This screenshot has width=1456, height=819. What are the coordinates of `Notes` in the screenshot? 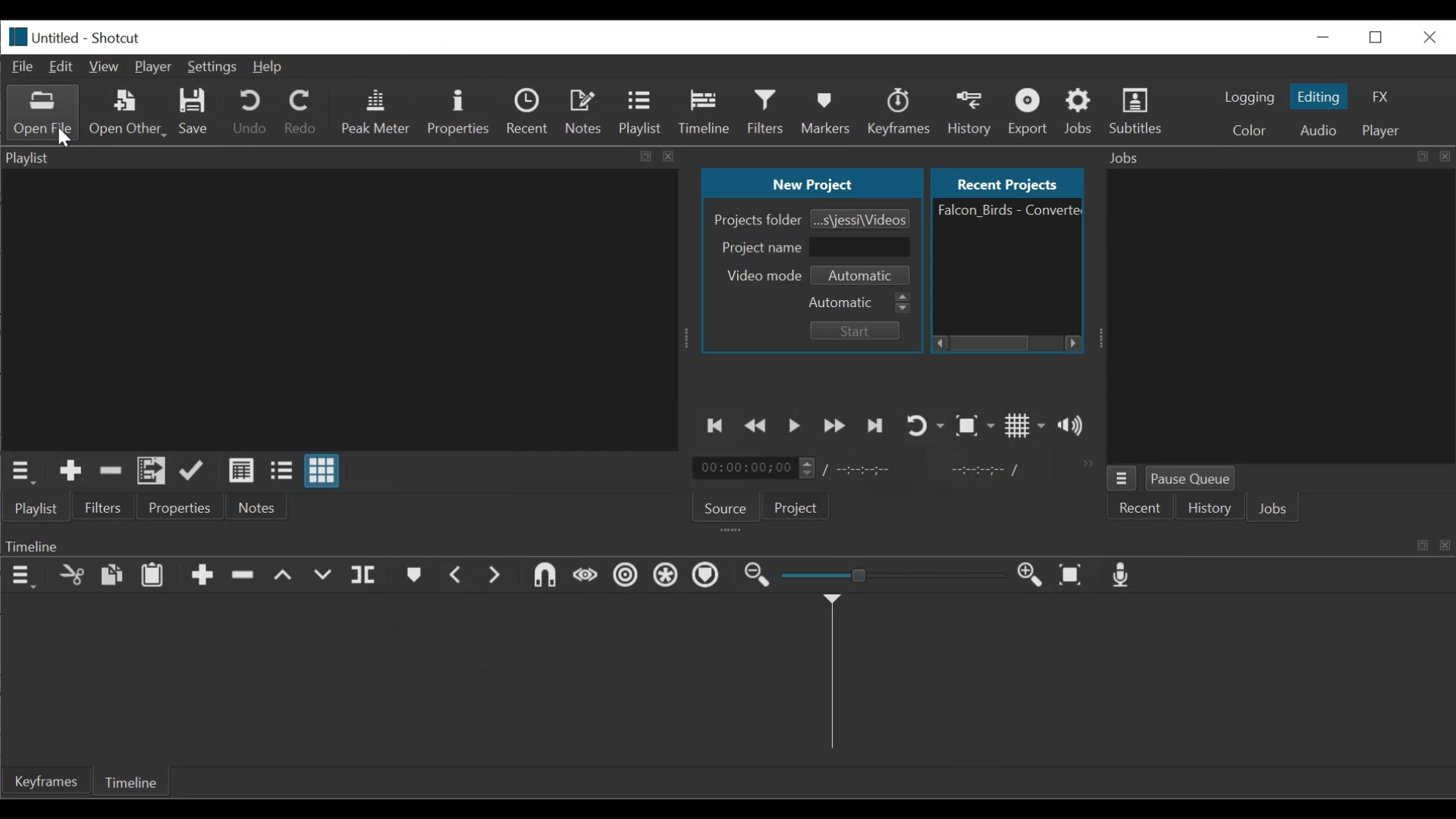 It's located at (582, 113).